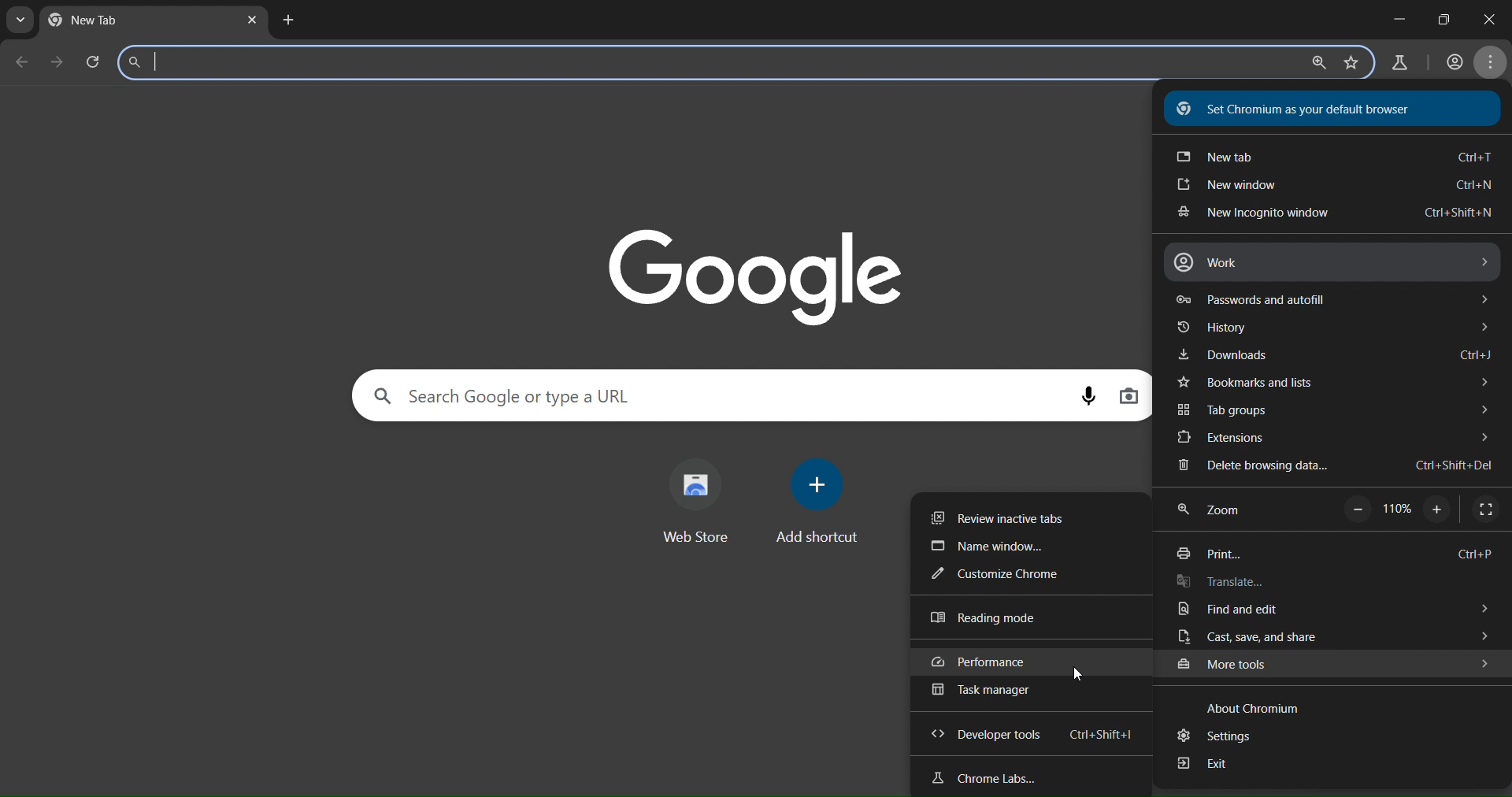 The height and width of the screenshot is (797, 1512). Describe the element at coordinates (1494, 63) in the screenshot. I see `menu` at that location.